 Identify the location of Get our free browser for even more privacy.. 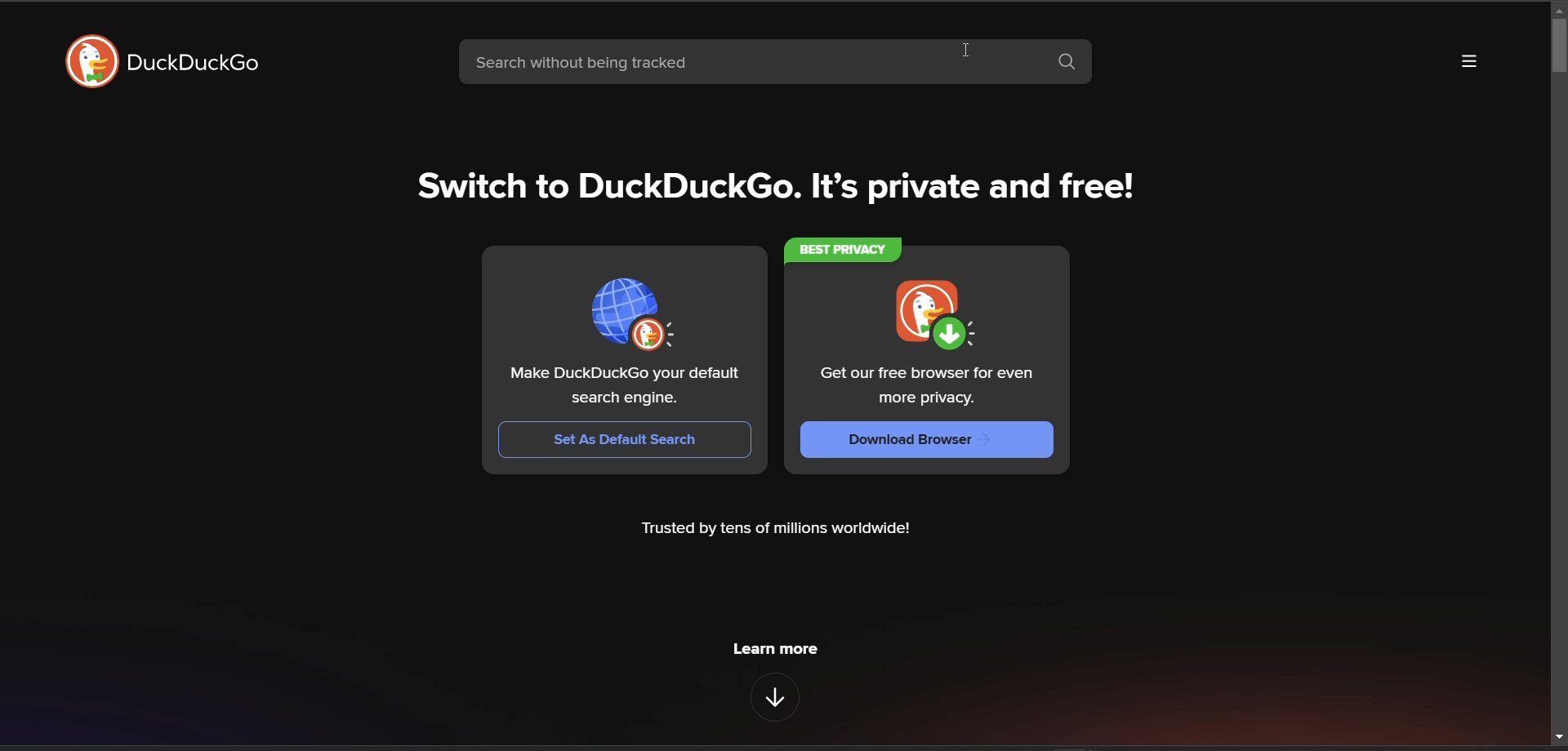
(929, 386).